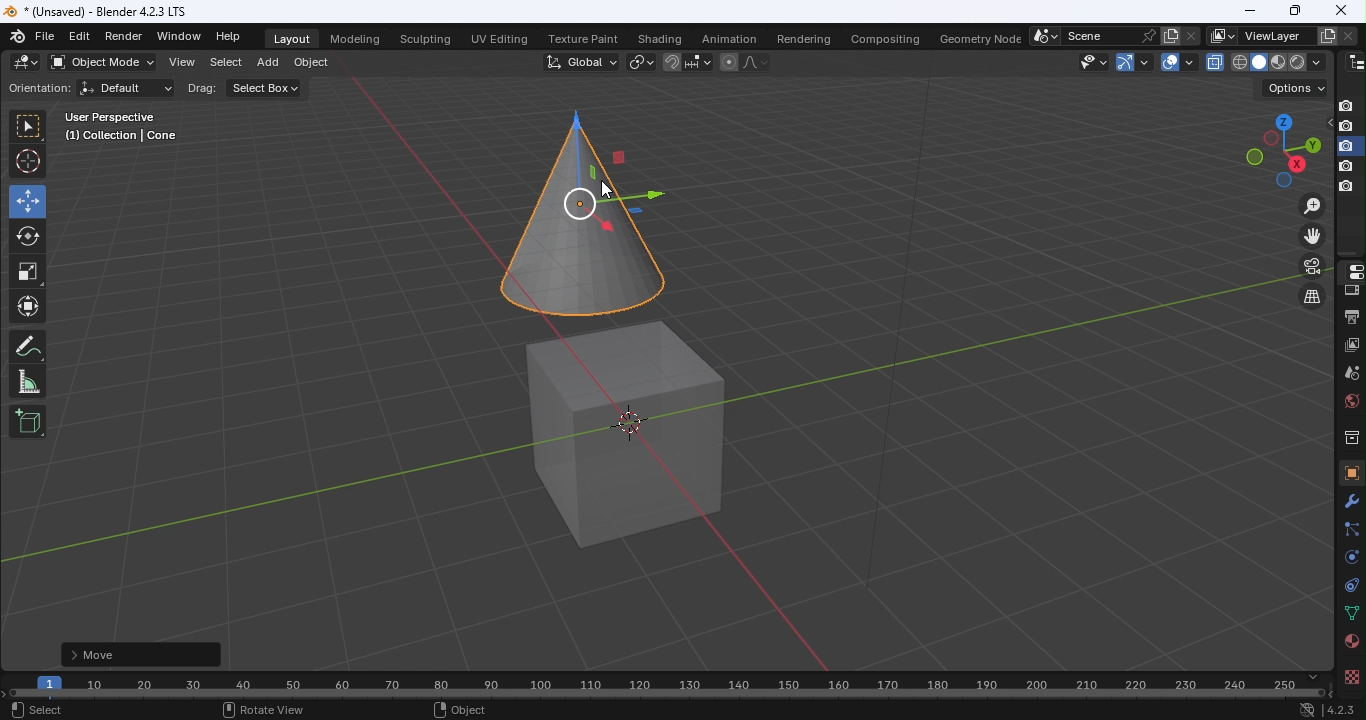 The width and height of the screenshot is (1366, 720). I want to click on Scale, so click(29, 272).